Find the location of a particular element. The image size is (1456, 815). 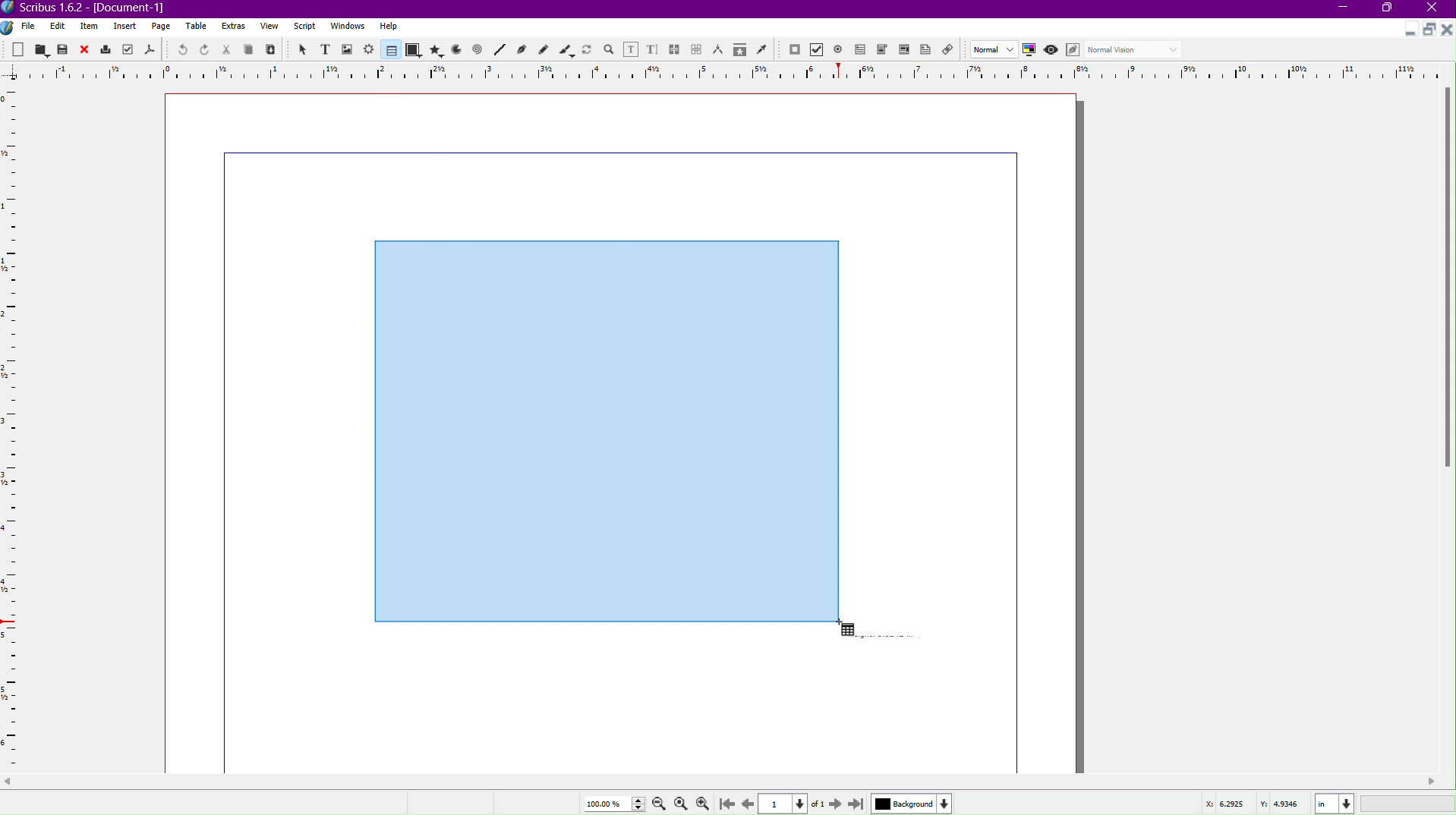

Item is located at coordinates (90, 27).